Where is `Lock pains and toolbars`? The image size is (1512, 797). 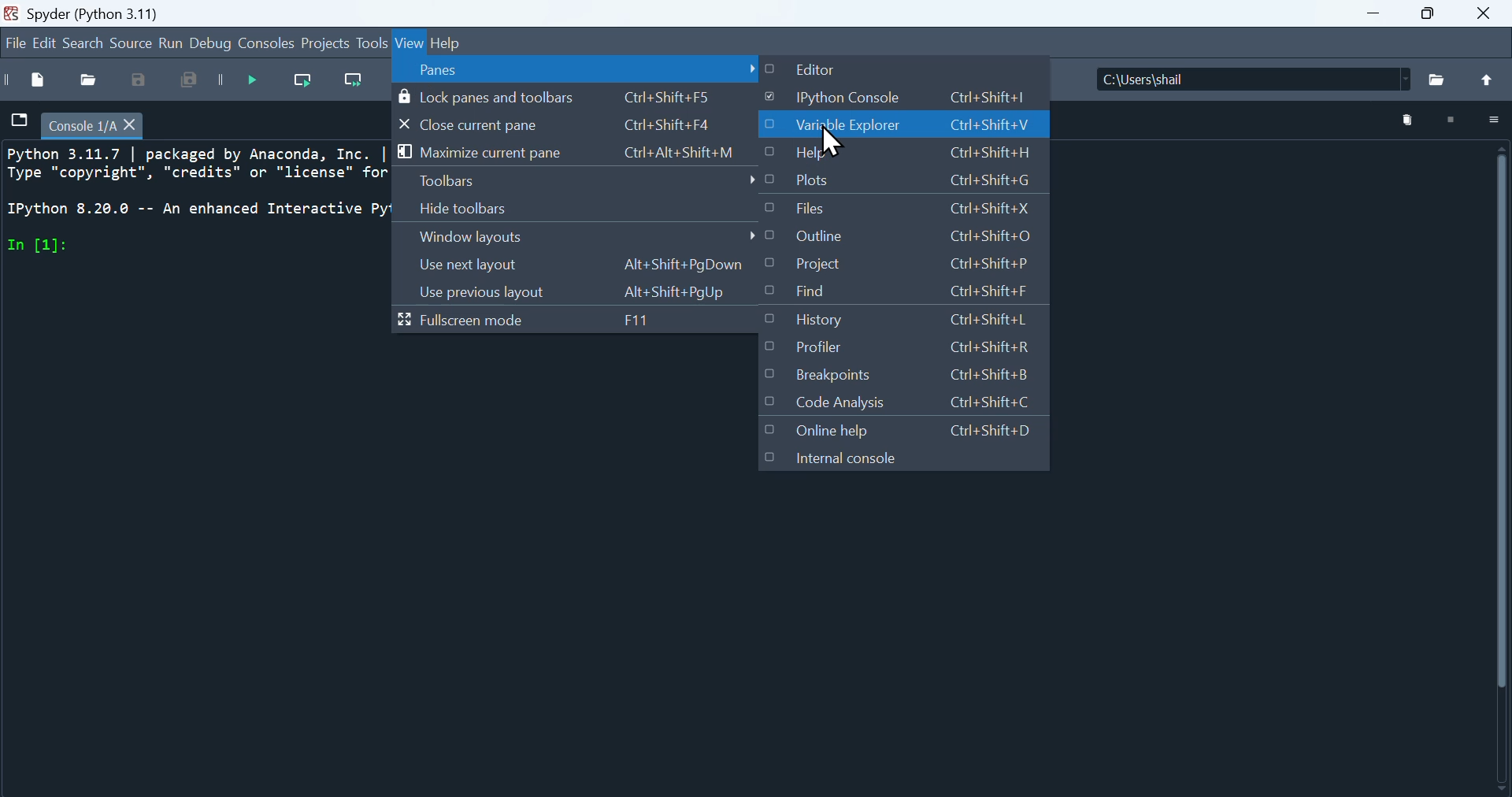 Lock pains and toolbars is located at coordinates (574, 98).